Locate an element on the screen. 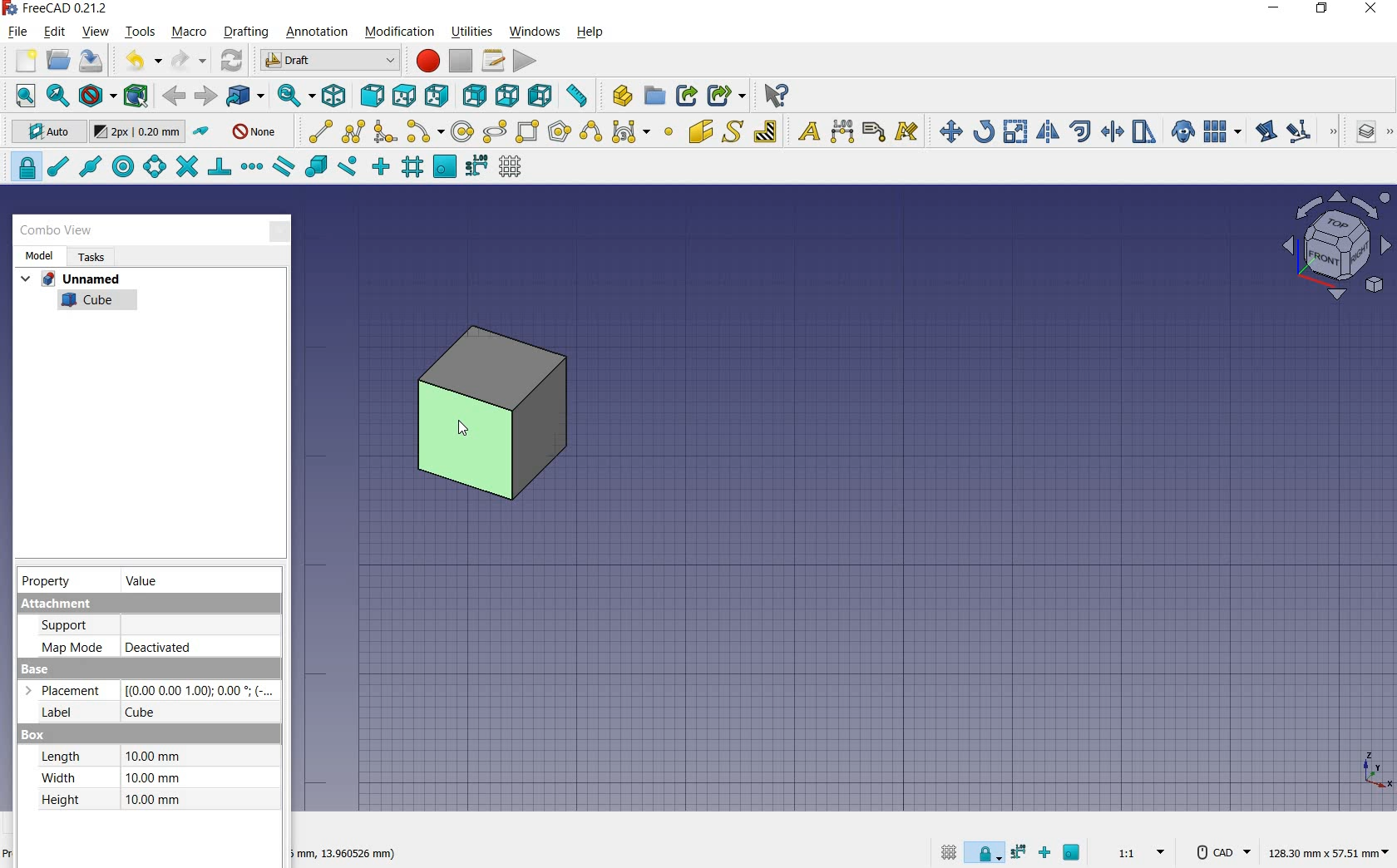 This screenshot has width=1397, height=868. draft modification tools is located at coordinates (1335, 133).